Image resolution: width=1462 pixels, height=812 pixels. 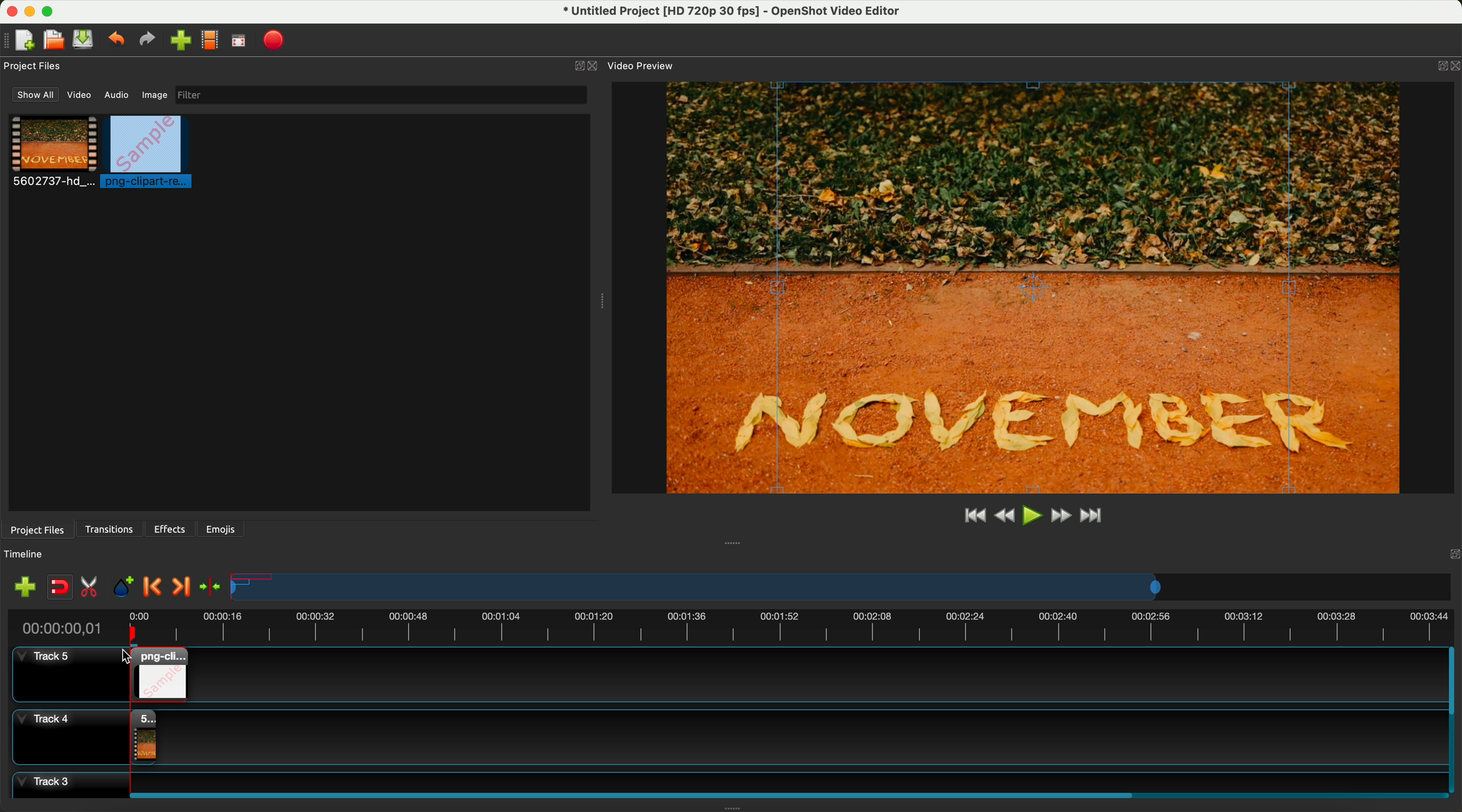 What do you see at coordinates (726, 734) in the screenshot?
I see `track 4` at bounding box center [726, 734].